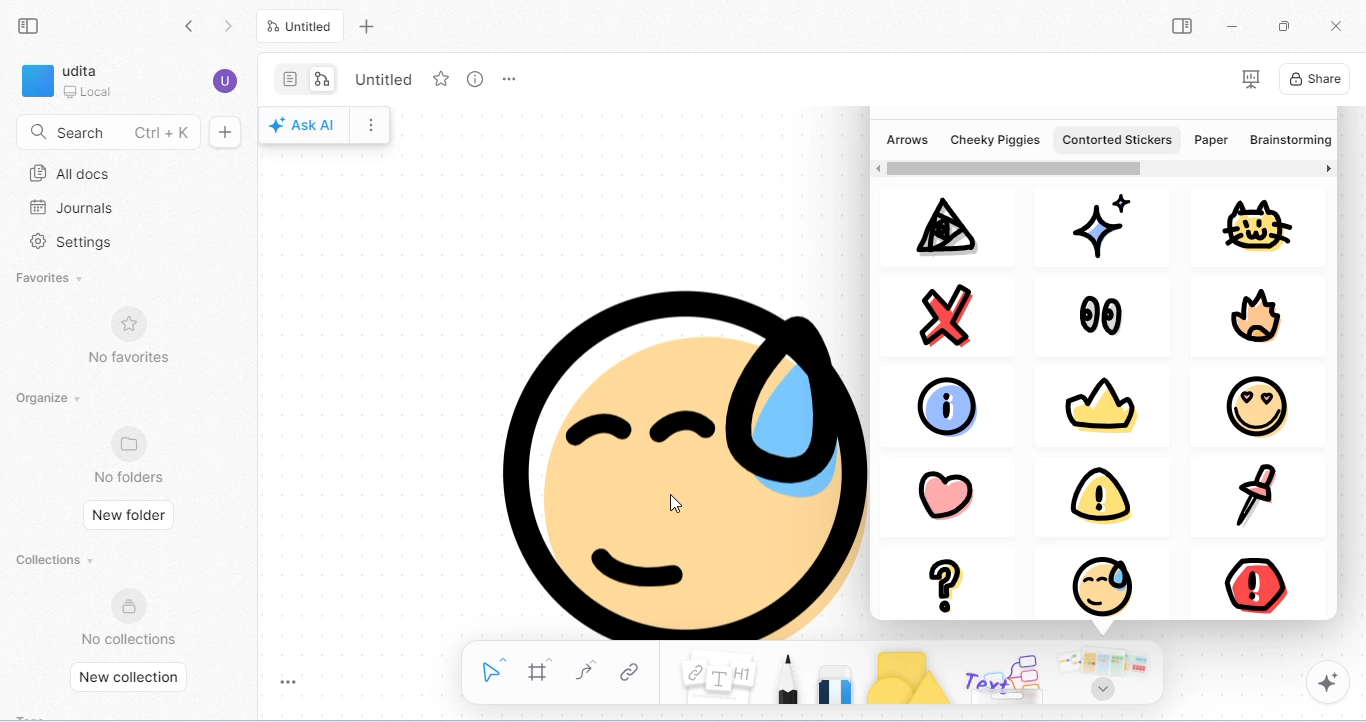 The height and width of the screenshot is (722, 1366). What do you see at coordinates (1328, 171) in the screenshot?
I see `Navigate right` at bounding box center [1328, 171].